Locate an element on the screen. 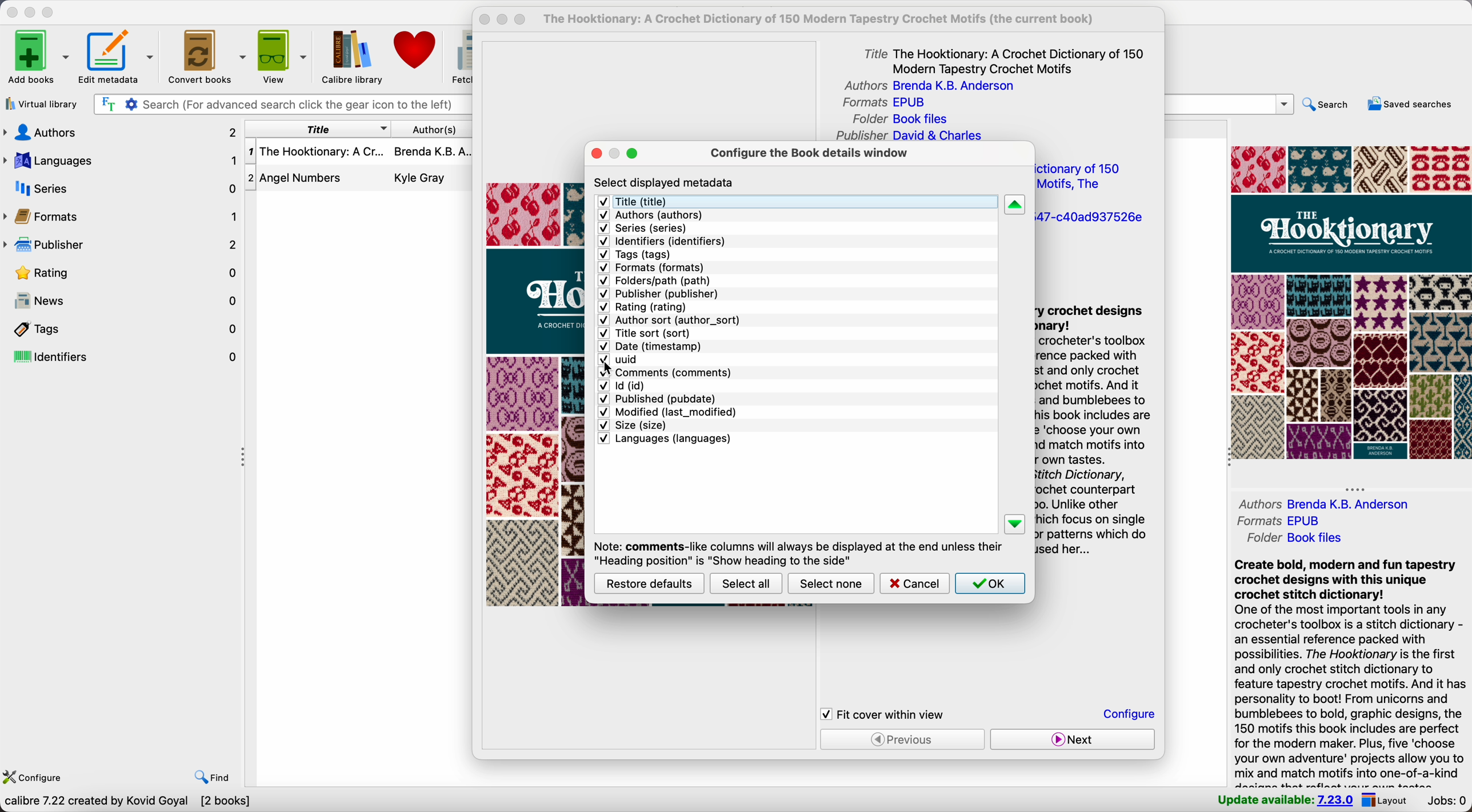 The height and width of the screenshot is (812, 1472). title sort is located at coordinates (649, 334).